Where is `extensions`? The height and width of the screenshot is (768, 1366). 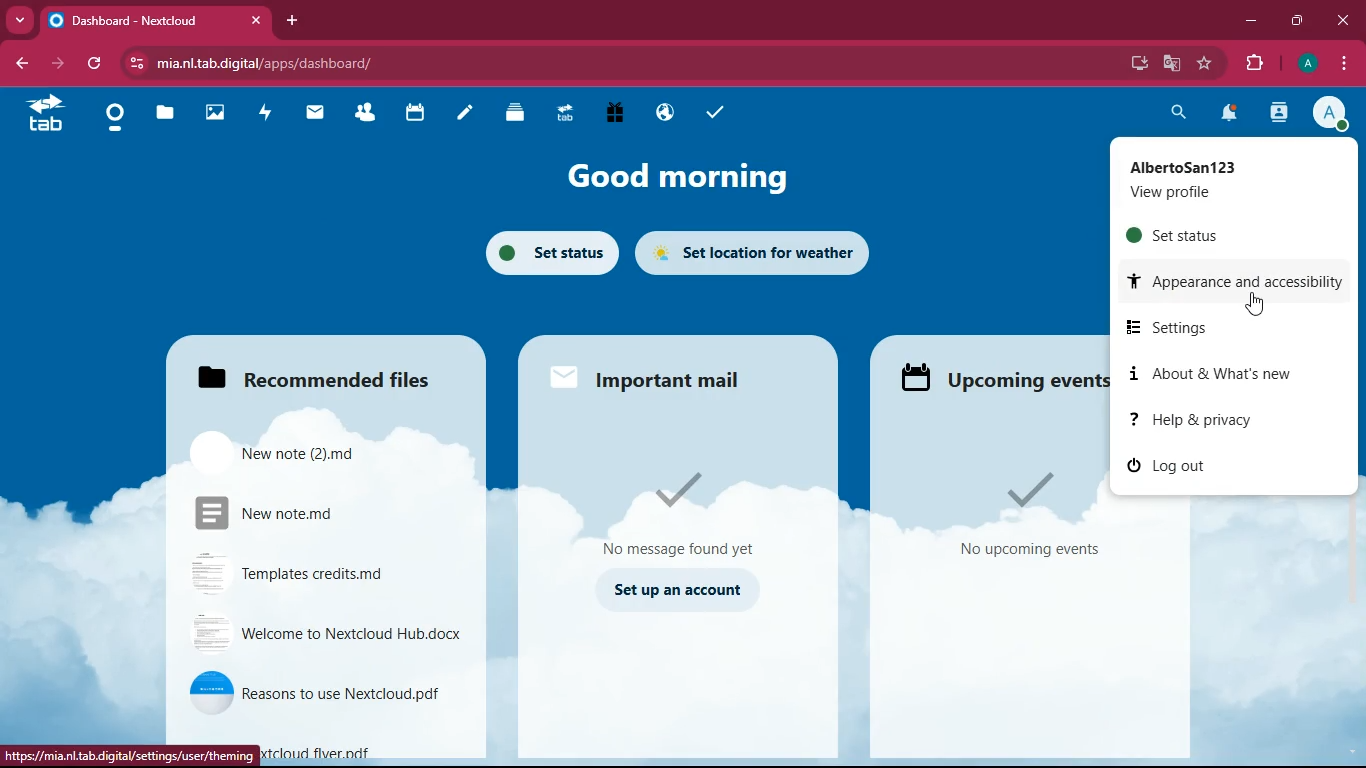
extensions is located at coordinates (1255, 64).